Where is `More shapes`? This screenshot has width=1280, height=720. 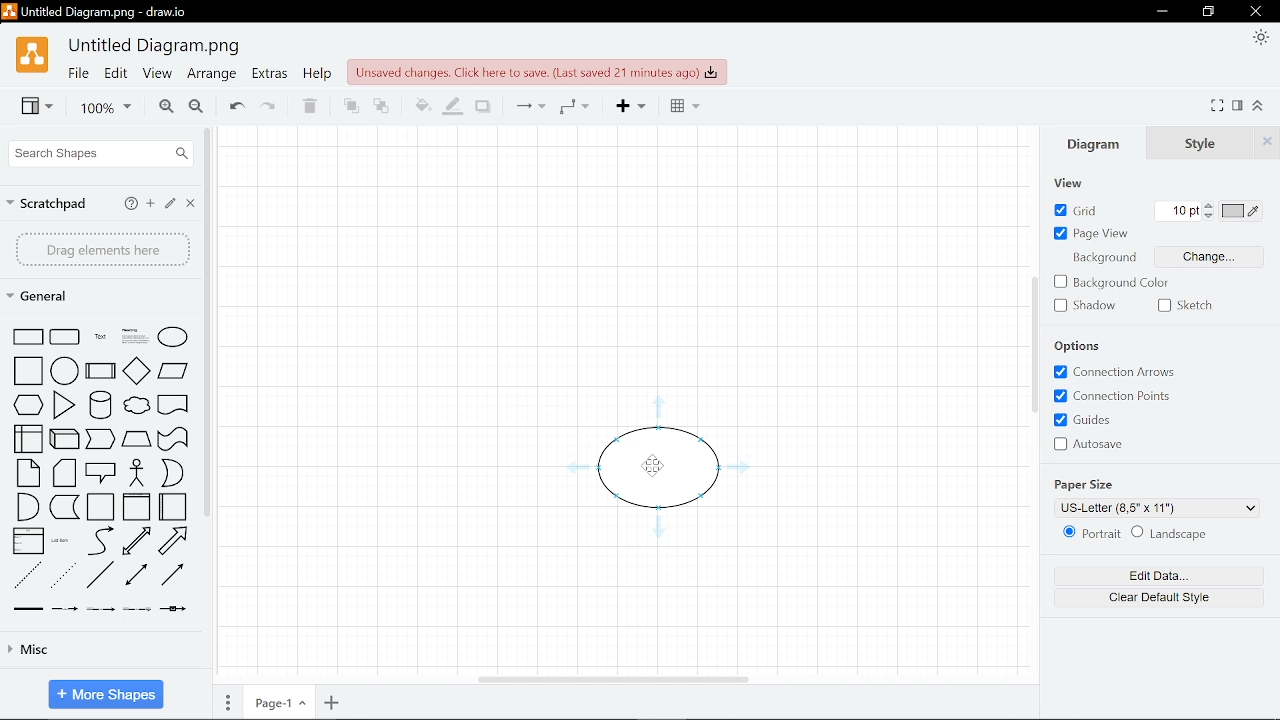
More shapes is located at coordinates (106, 693).